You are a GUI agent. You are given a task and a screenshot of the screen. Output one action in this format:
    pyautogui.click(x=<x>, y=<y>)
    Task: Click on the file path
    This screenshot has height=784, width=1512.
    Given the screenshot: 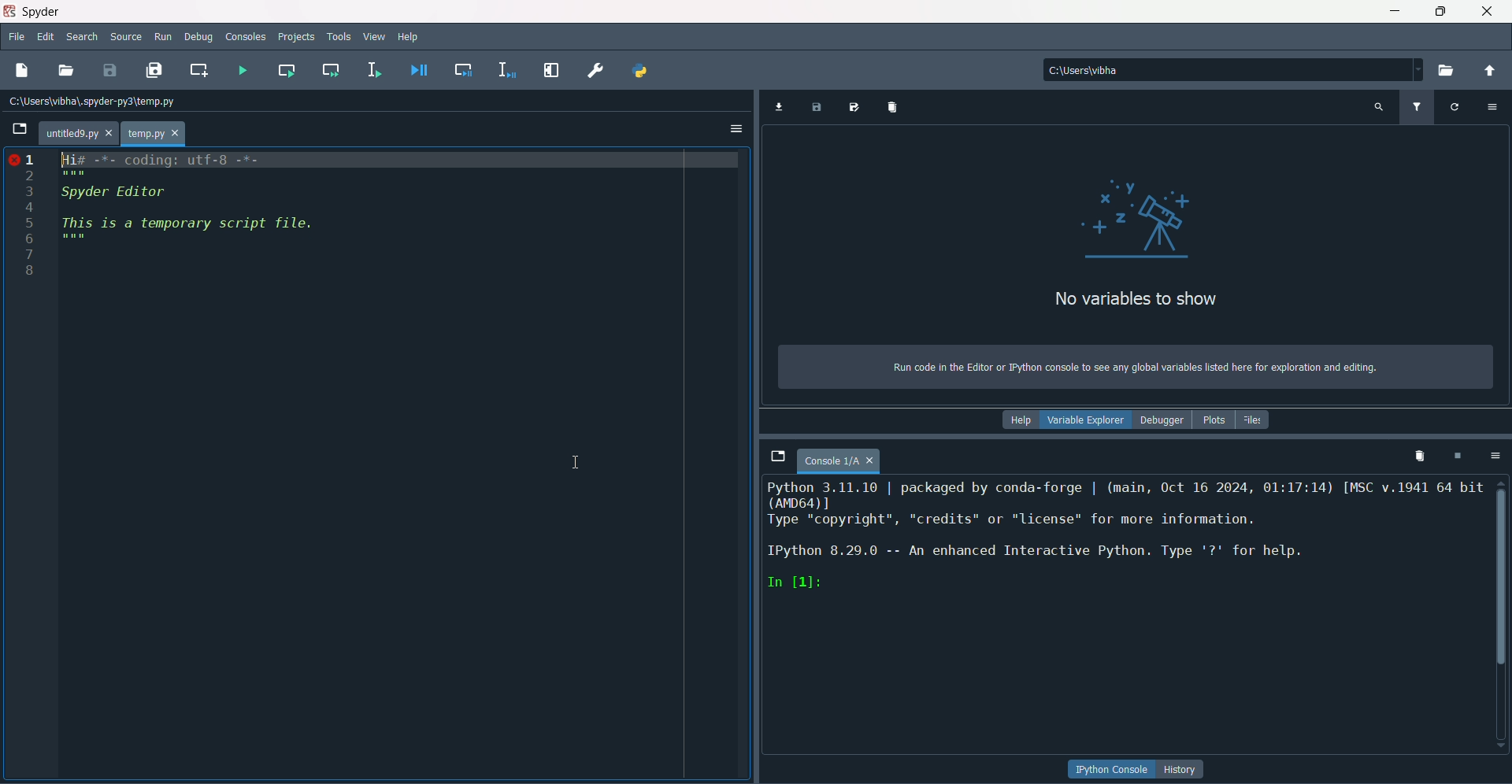 What is the action you would take?
    pyautogui.click(x=1232, y=72)
    